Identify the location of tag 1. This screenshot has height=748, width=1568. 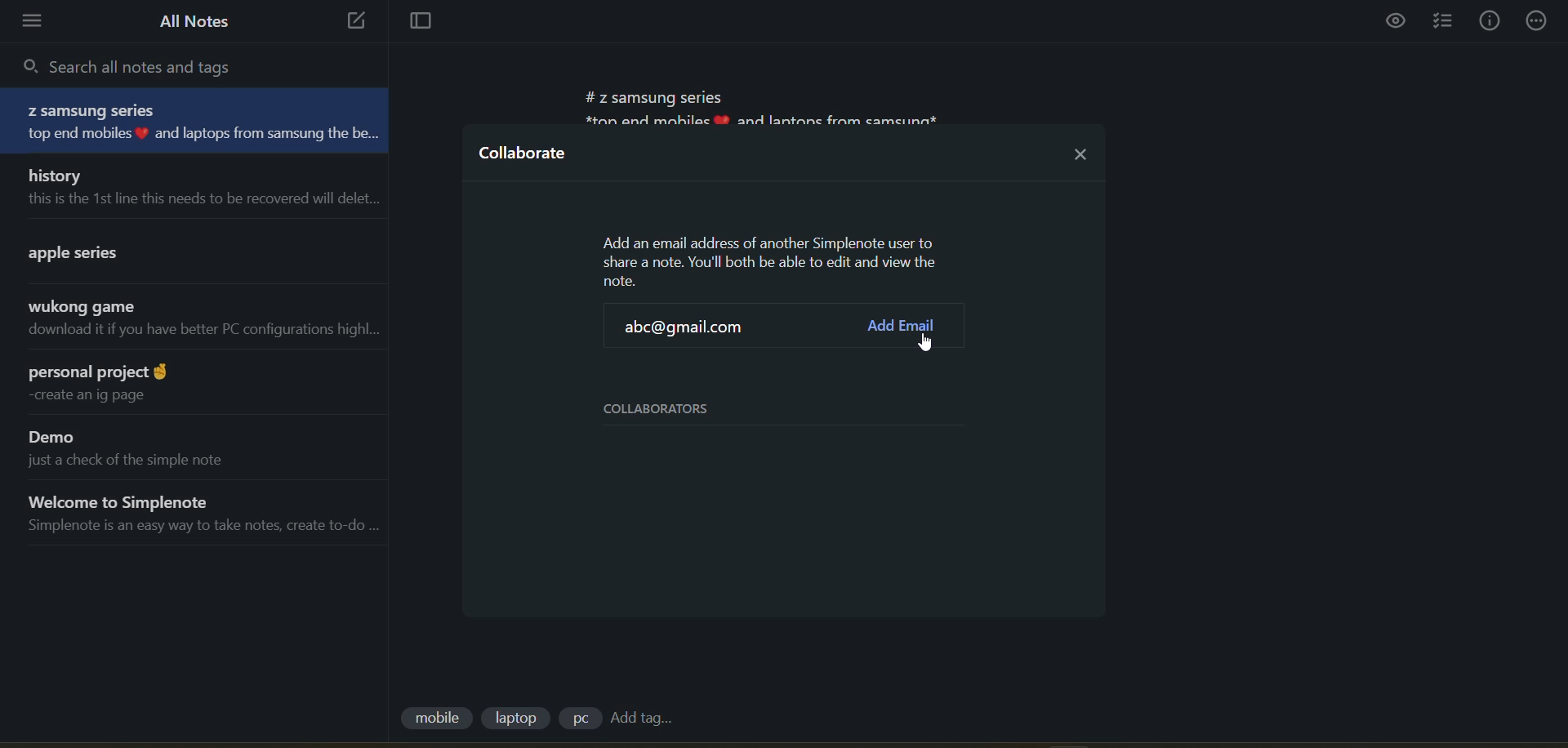
(435, 719).